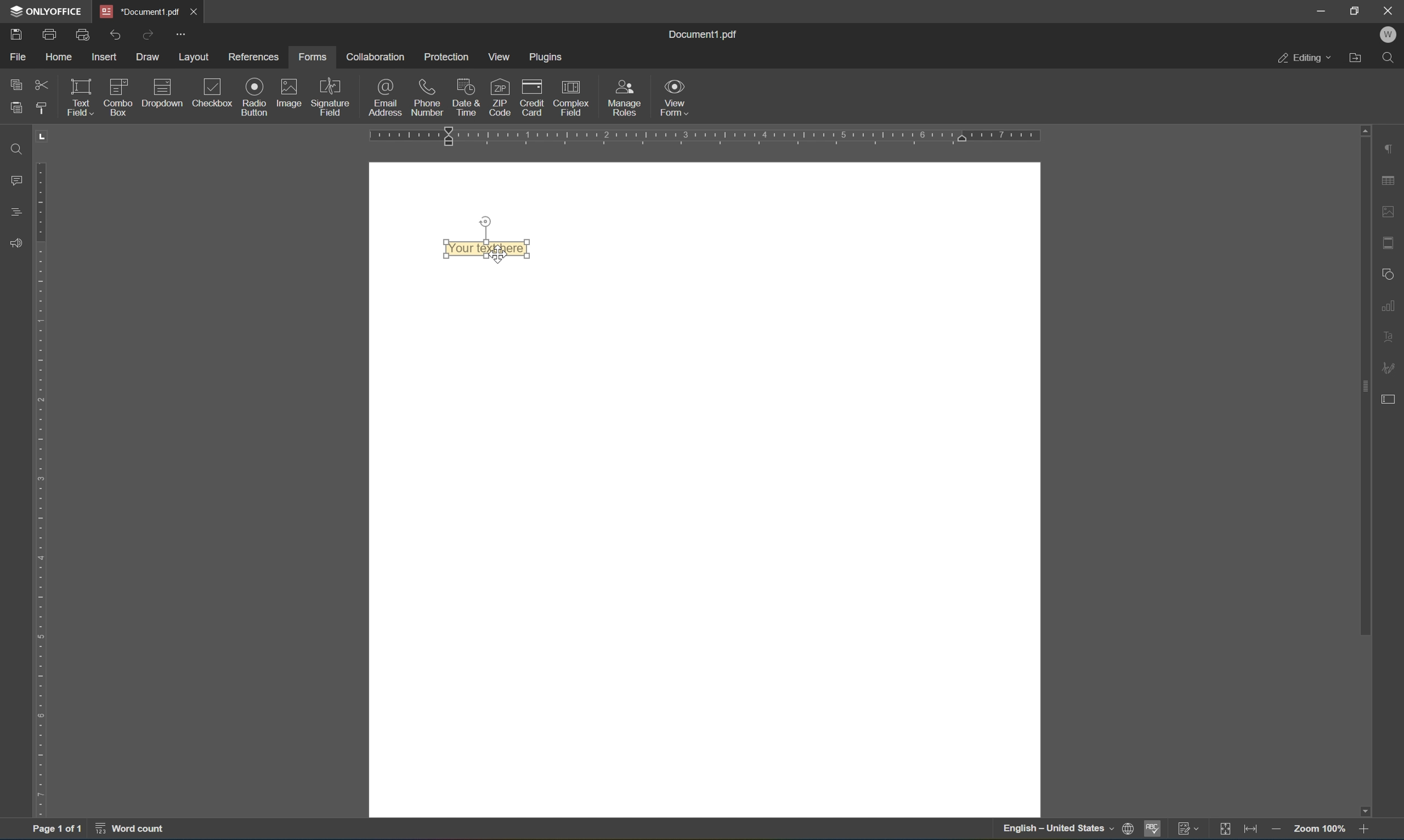  I want to click on comments, so click(13, 182).